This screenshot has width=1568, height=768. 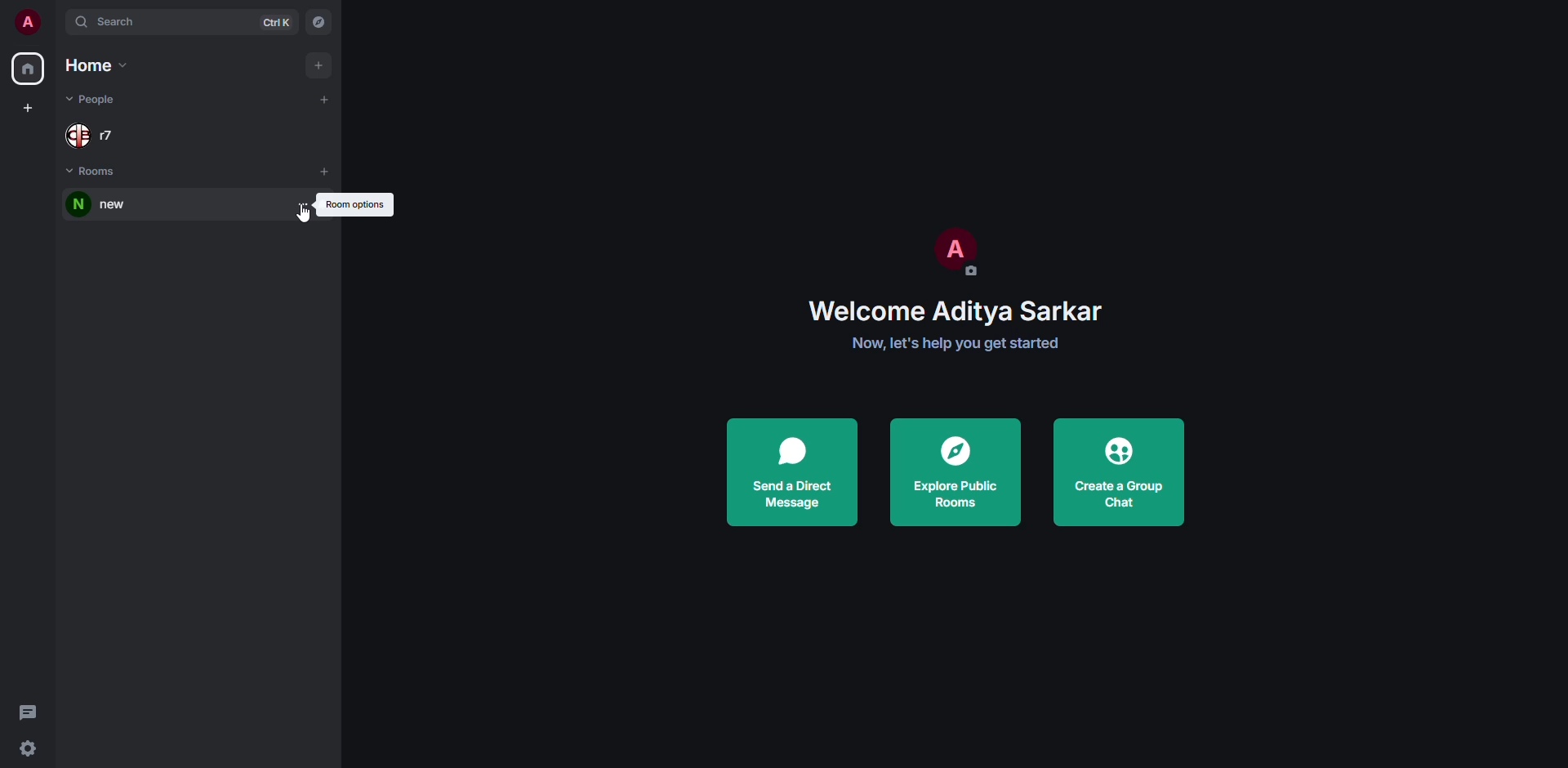 I want to click on room options, so click(x=355, y=203).